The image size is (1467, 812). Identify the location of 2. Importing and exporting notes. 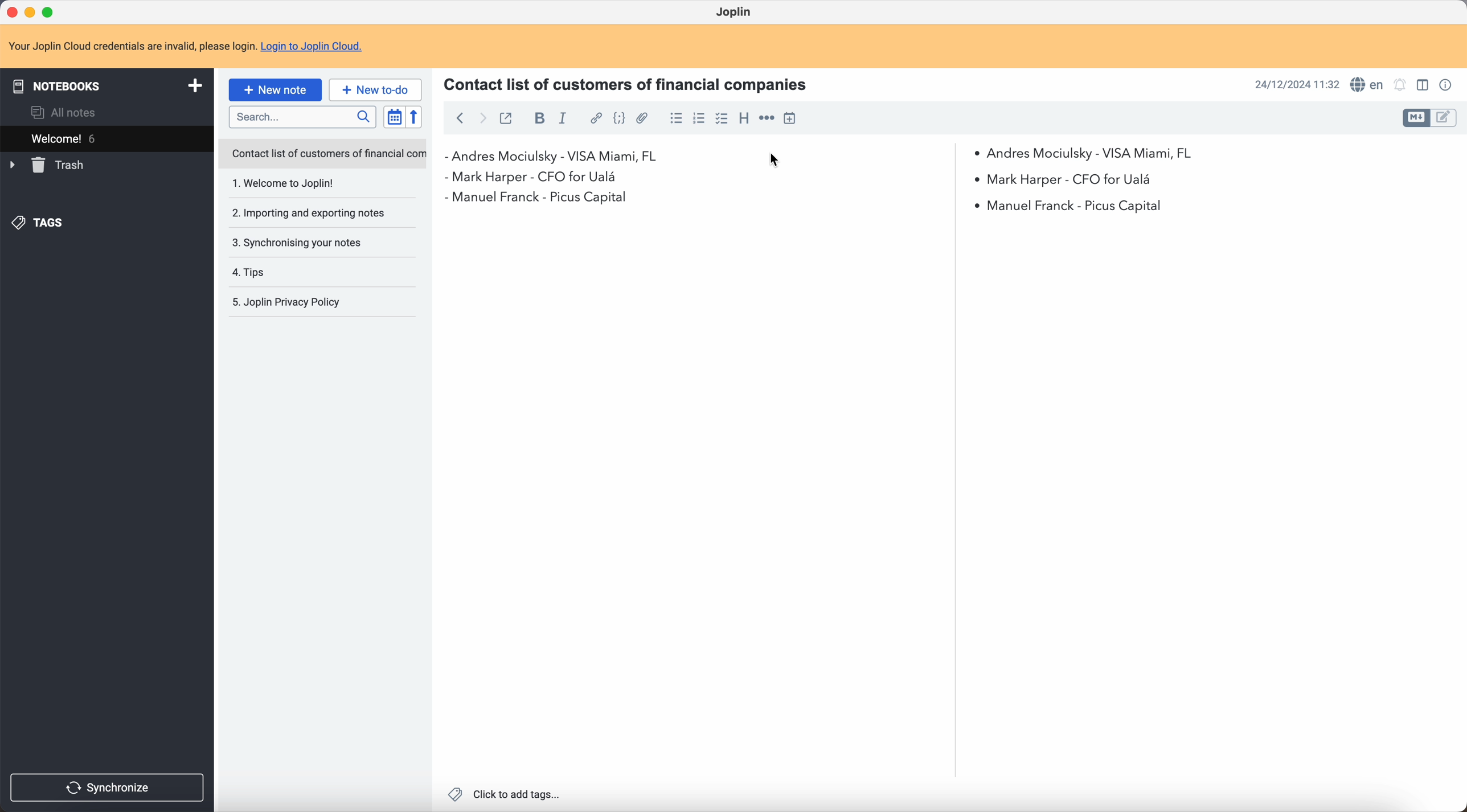
(312, 214).